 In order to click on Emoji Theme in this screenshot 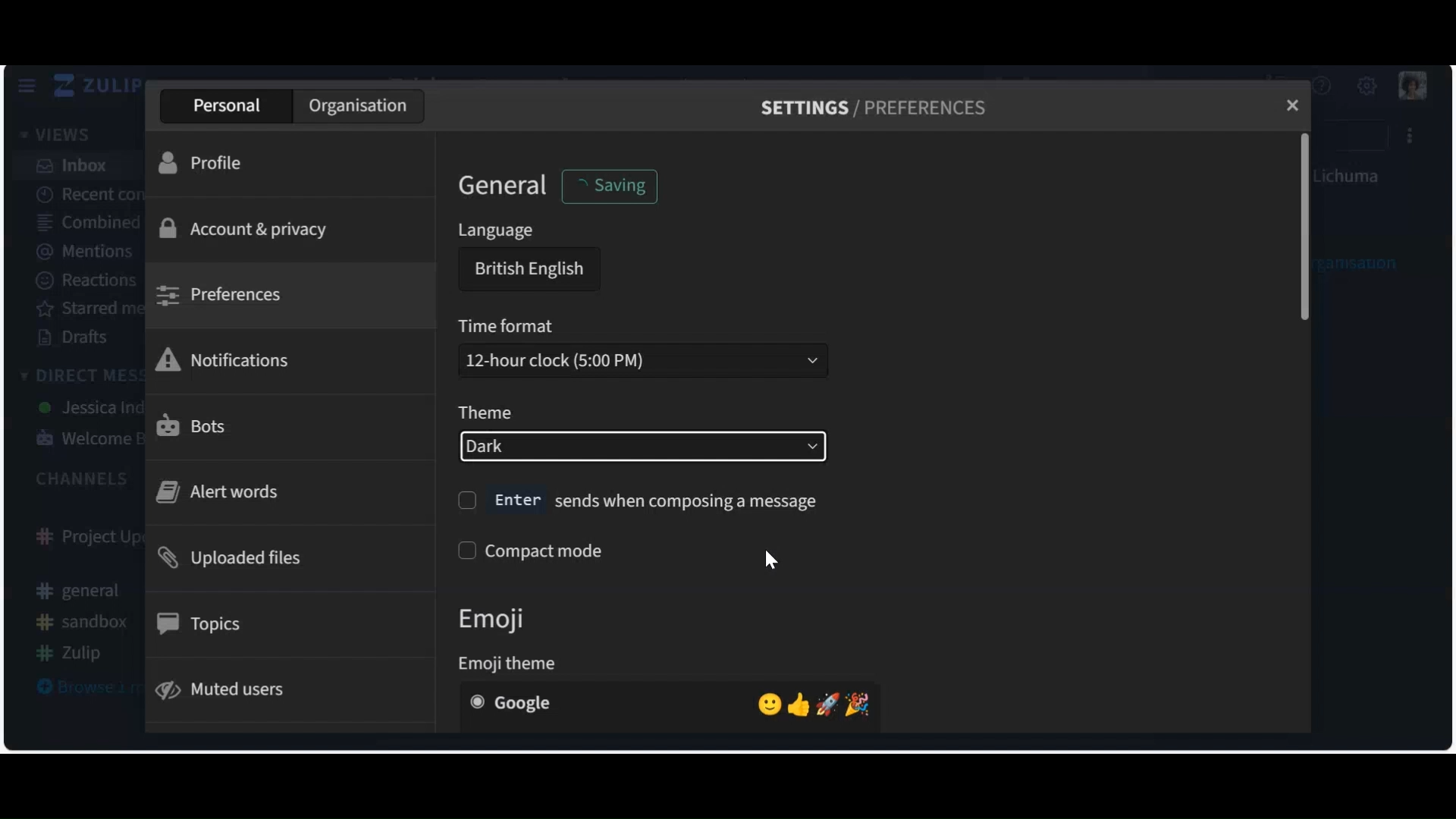, I will do `click(513, 662)`.